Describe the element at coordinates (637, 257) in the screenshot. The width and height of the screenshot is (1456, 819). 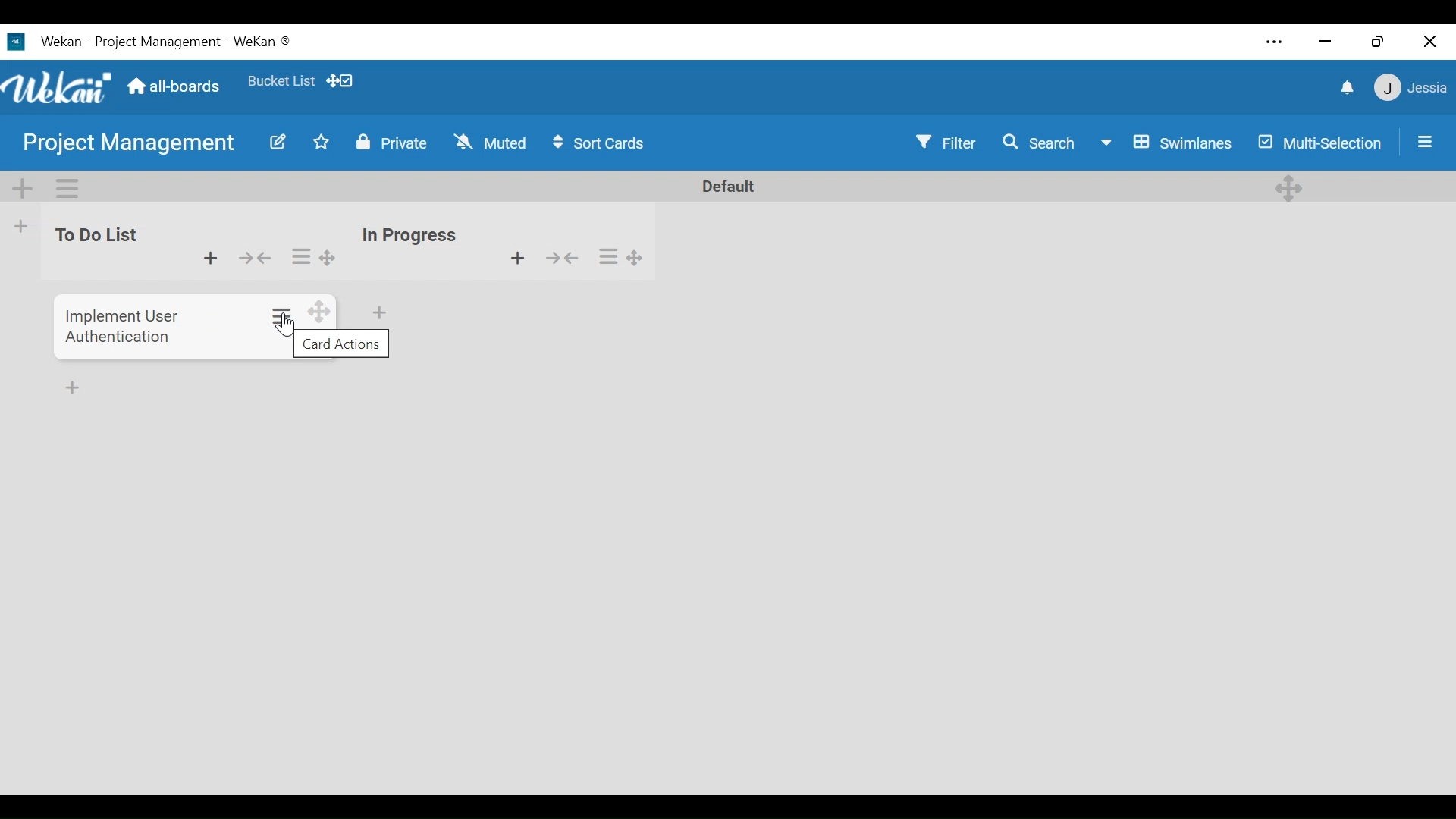
I see `desktop drag handles` at that location.